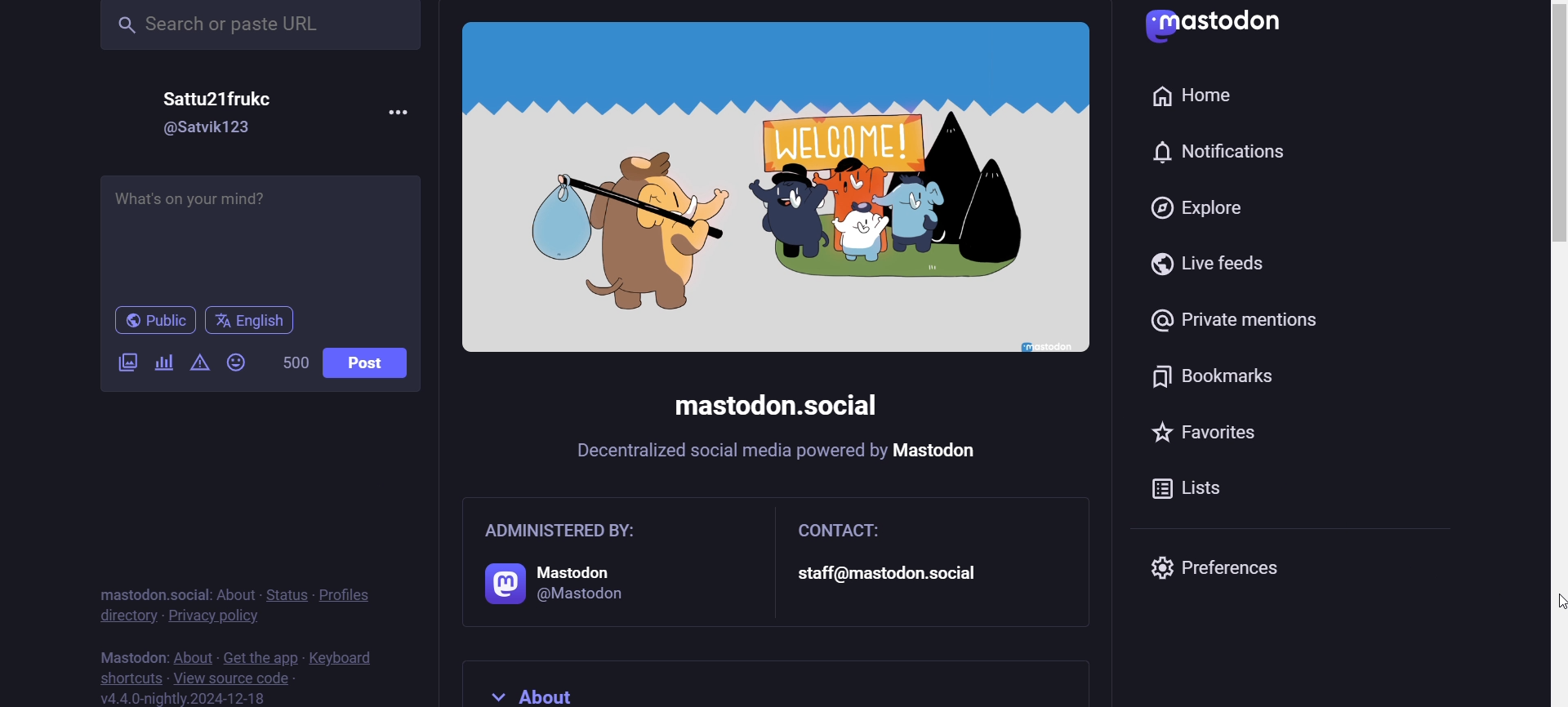  Describe the element at coordinates (128, 652) in the screenshot. I see `mastodon` at that location.